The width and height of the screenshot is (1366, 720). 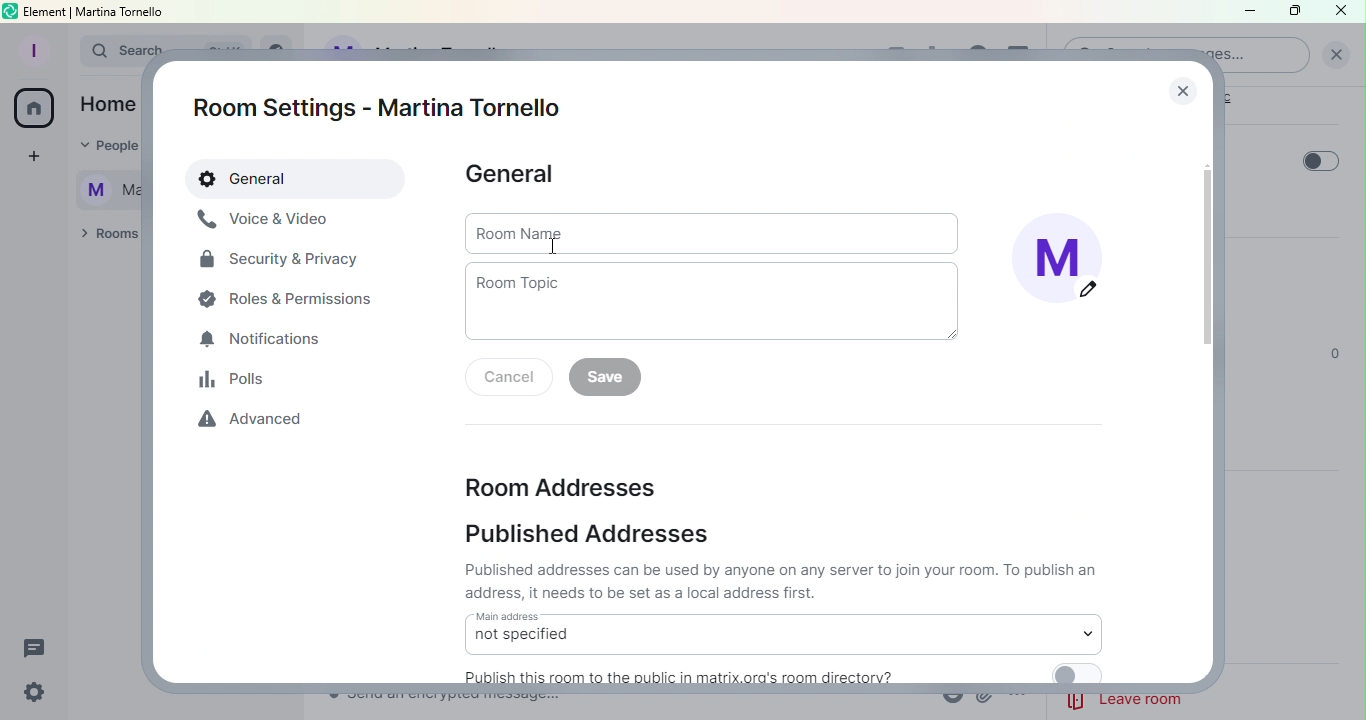 I want to click on Close, so click(x=1178, y=85).